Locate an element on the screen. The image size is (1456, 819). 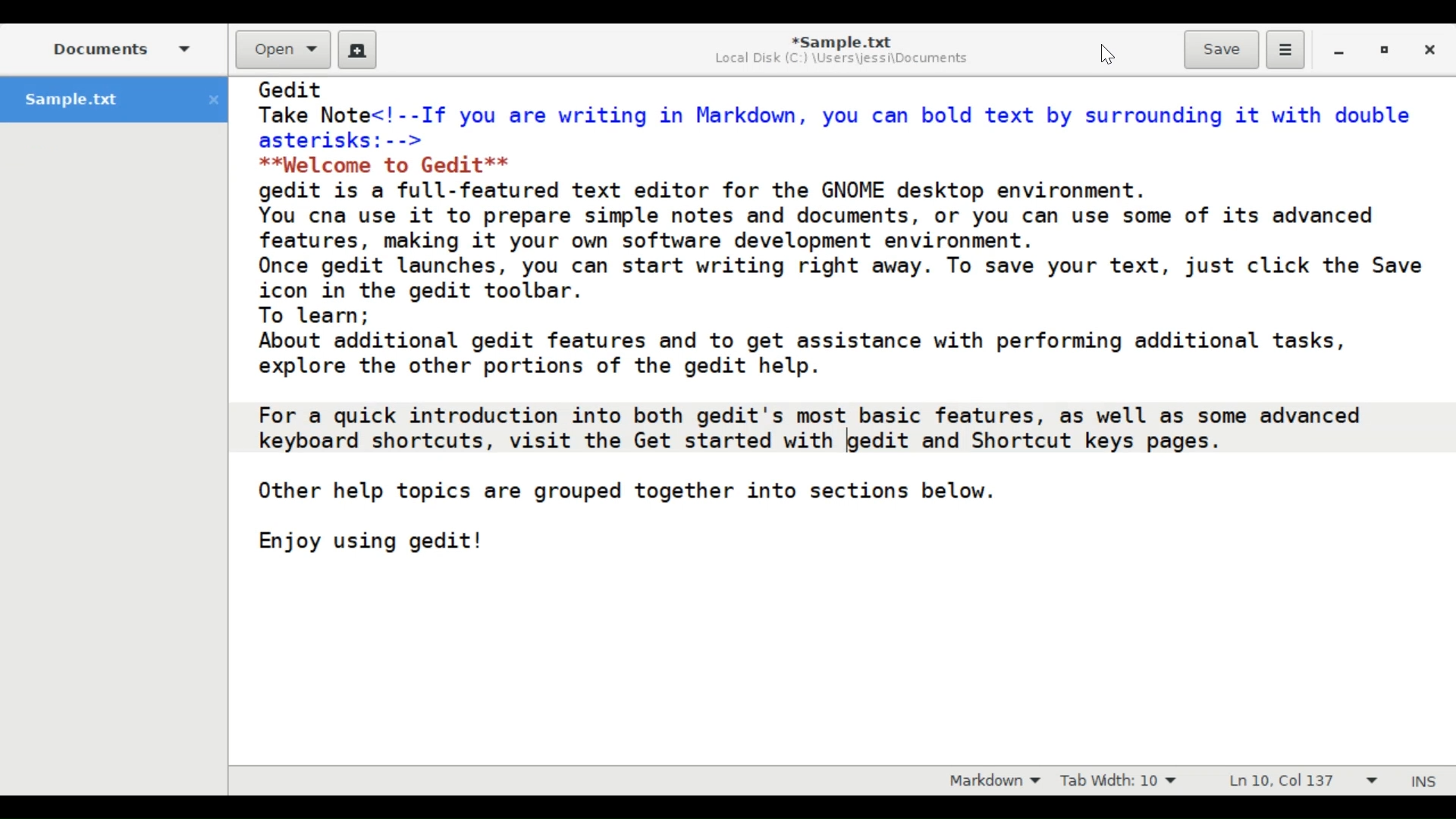
restore is located at coordinates (1385, 51).